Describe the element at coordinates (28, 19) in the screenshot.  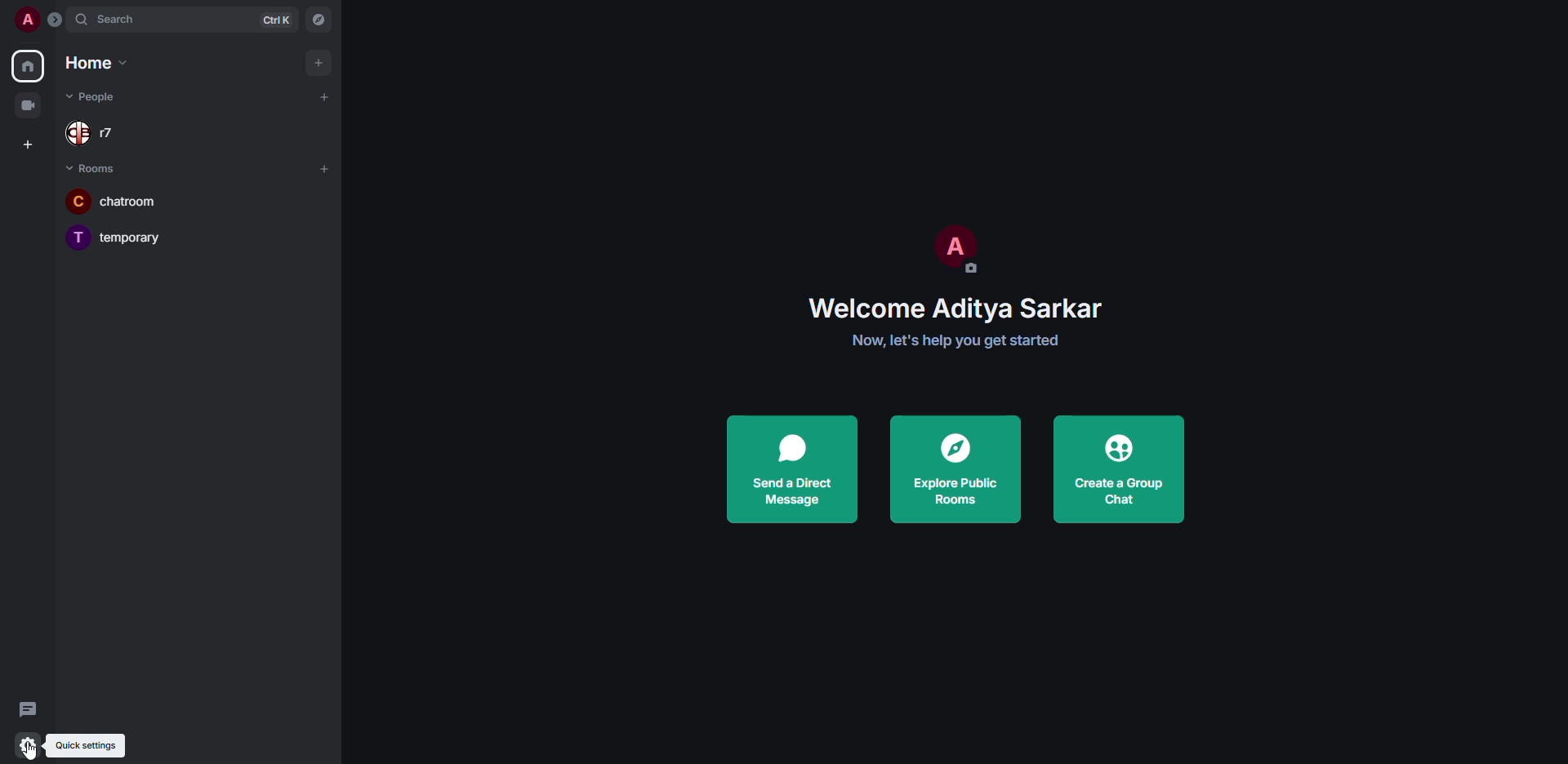
I see `profile` at that location.